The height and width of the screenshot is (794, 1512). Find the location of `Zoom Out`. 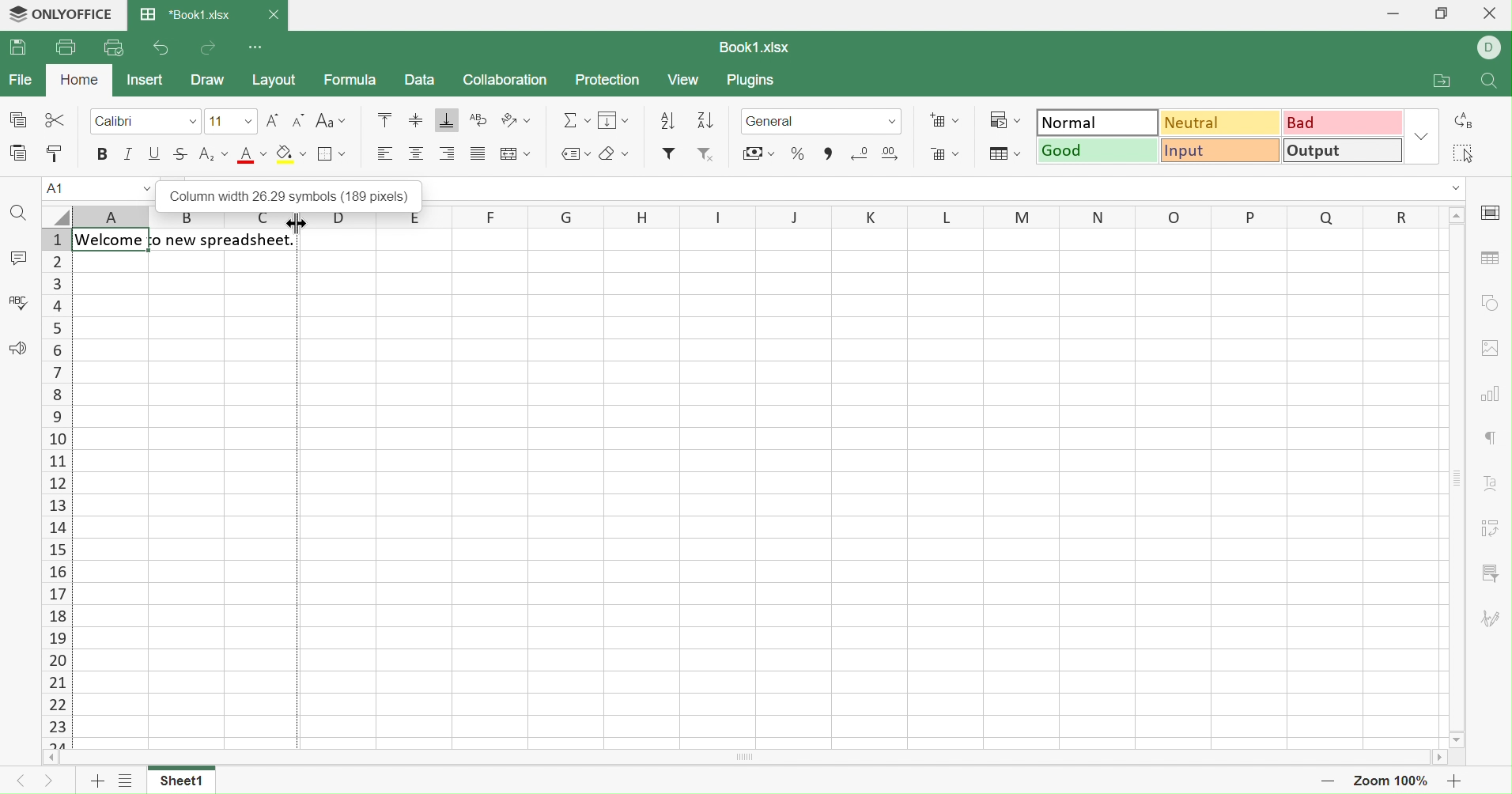

Zoom Out is located at coordinates (1328, 785).